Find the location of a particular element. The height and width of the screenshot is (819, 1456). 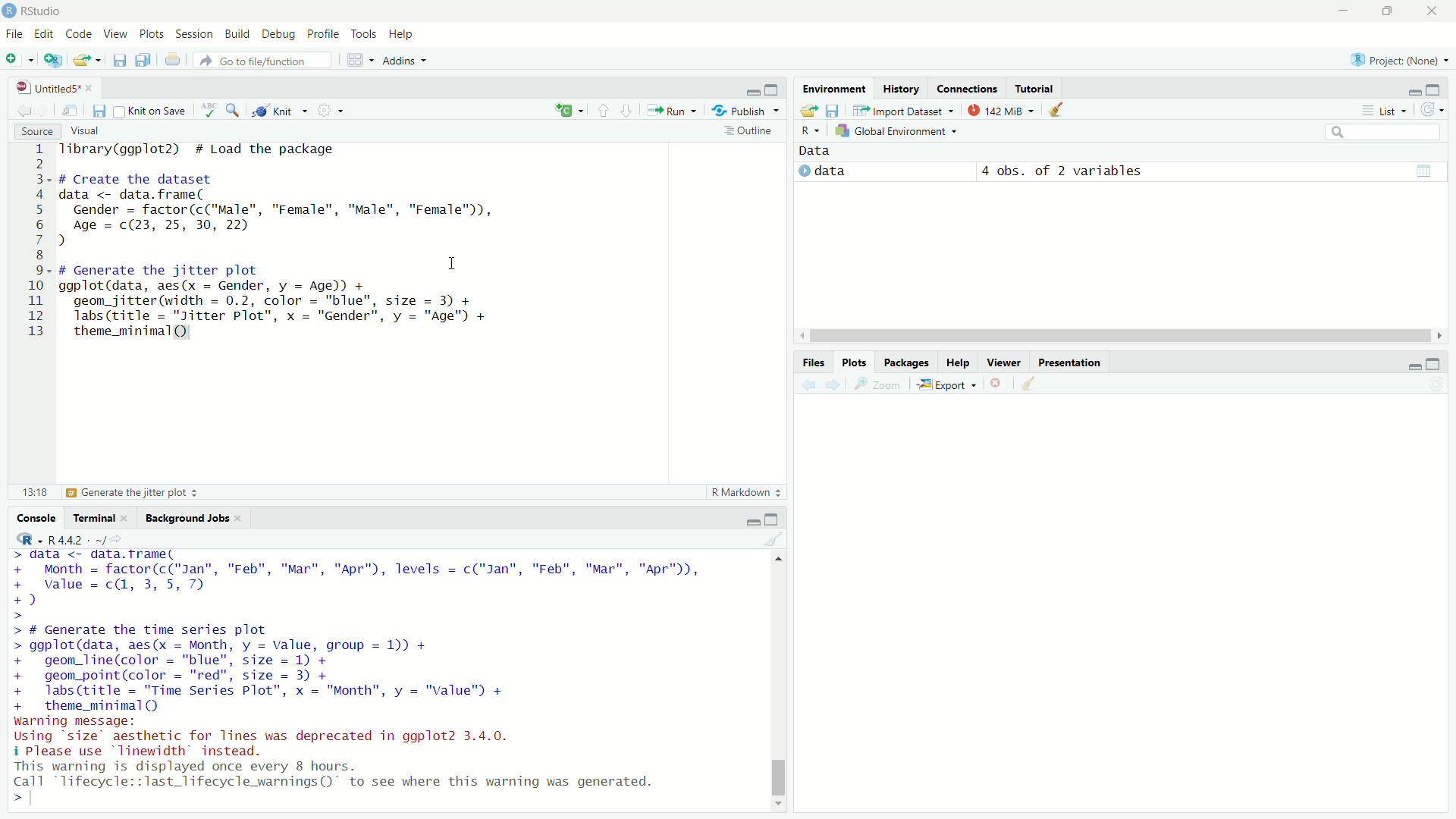

debug is located at coordinates (280, 32).